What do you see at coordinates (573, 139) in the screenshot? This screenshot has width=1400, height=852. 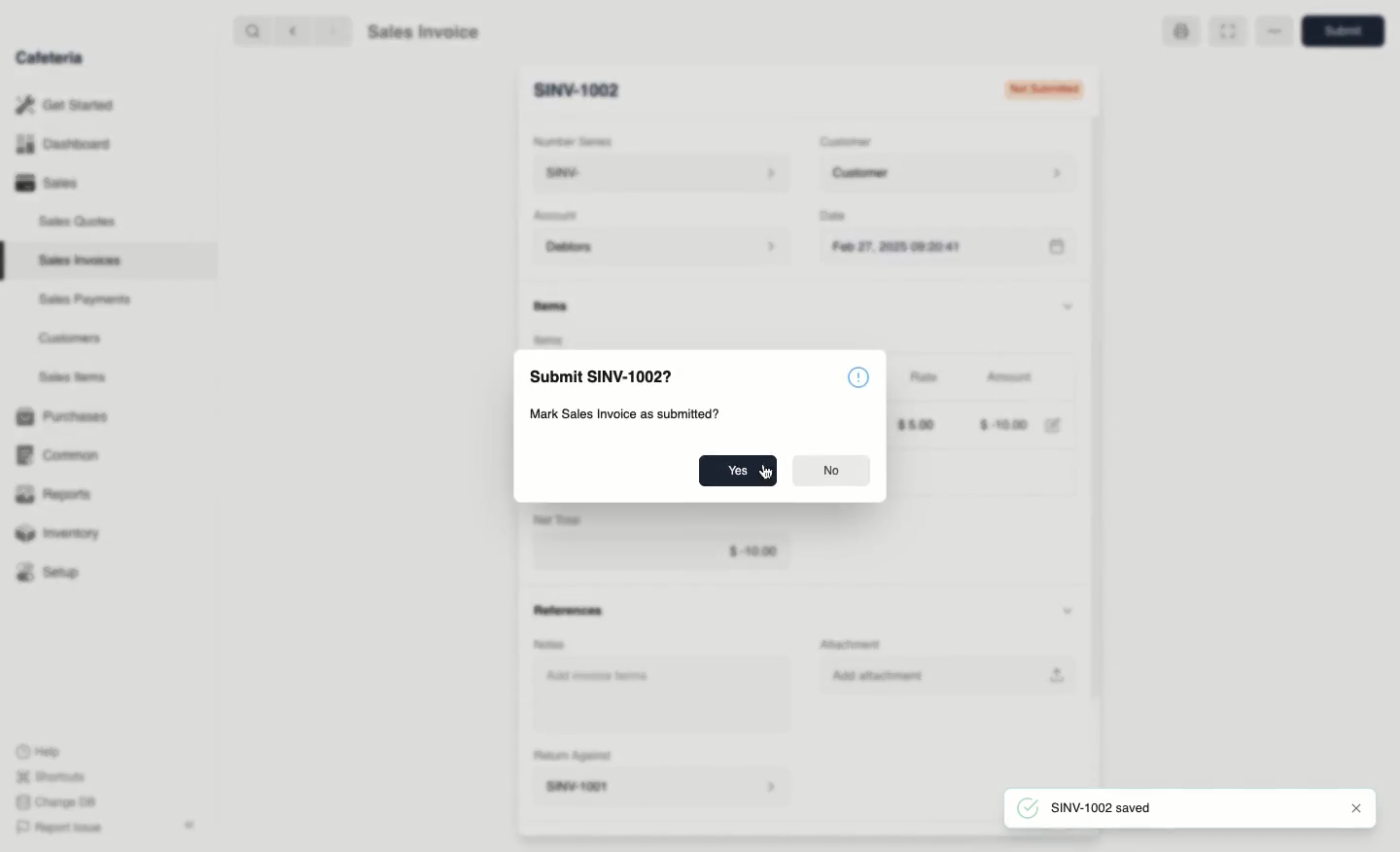 I see `‘Number Series` at bounding box center [573, 139].